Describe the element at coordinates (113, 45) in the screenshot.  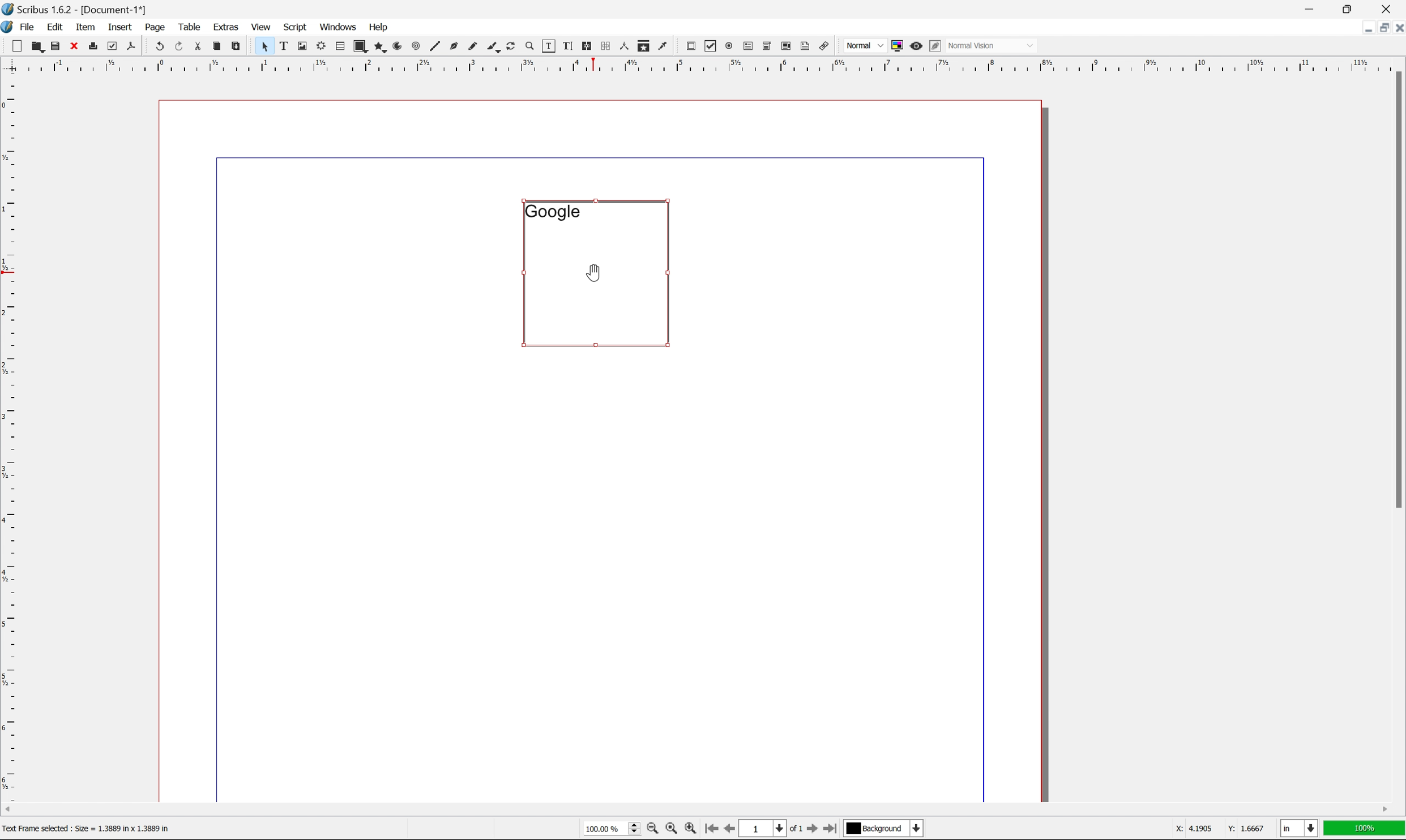
I see `preflight verifier` at that location.